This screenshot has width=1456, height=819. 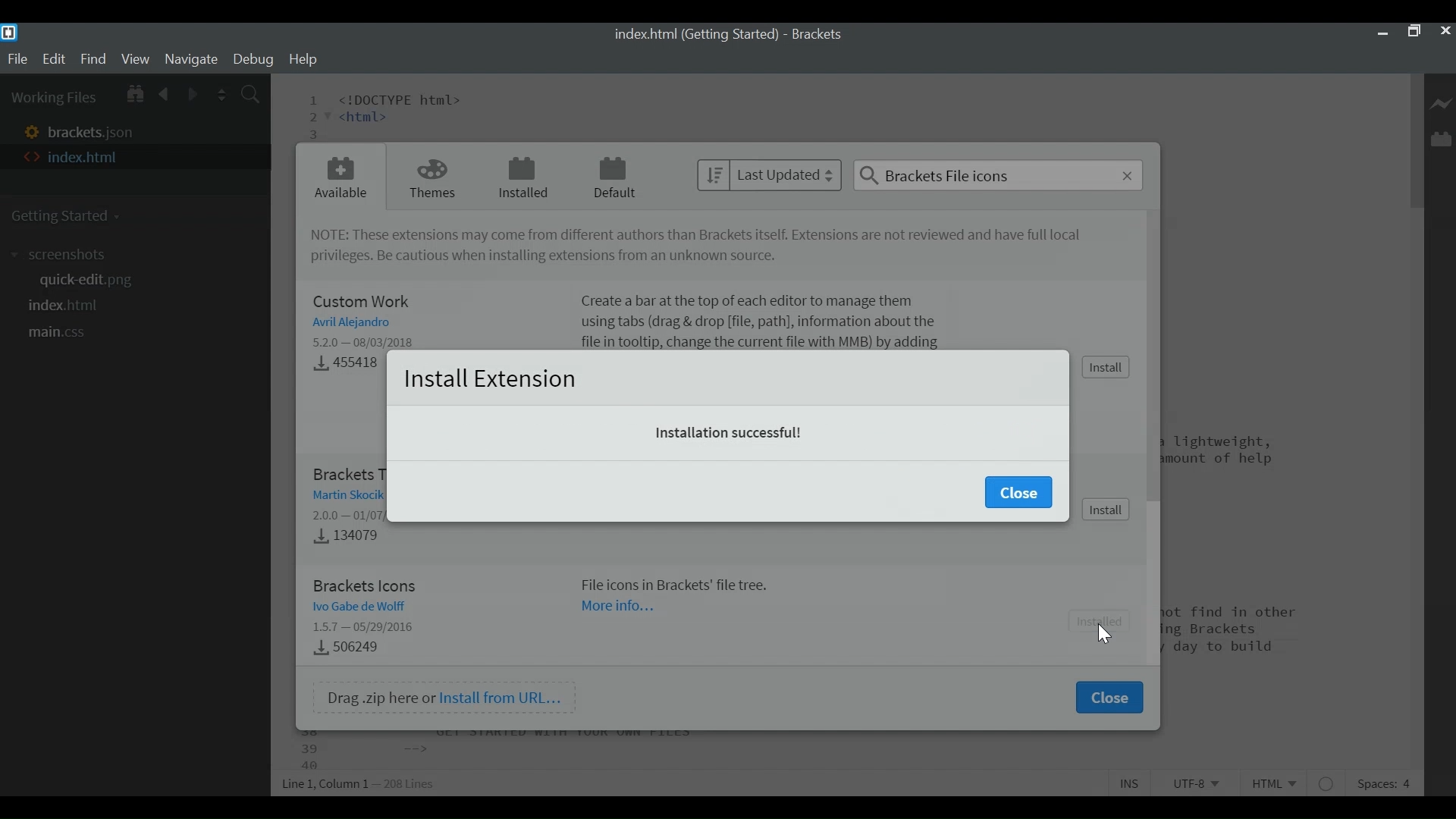 What do you see at coordinates (1382, 33) in the screenshot?
I see `minimize` at bounding box center [1382, 33].